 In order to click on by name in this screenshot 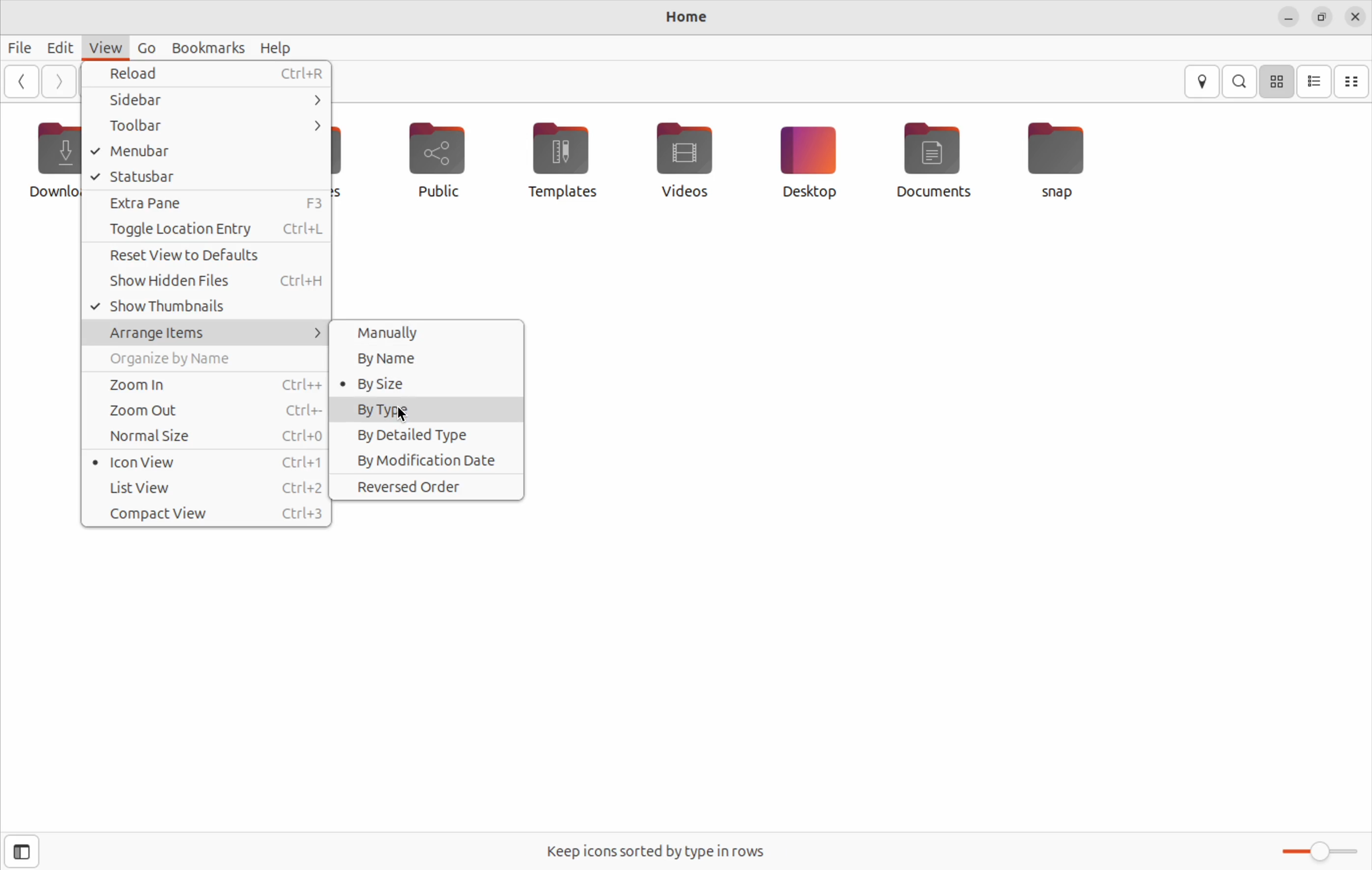, I will do `click(428, 357)`.